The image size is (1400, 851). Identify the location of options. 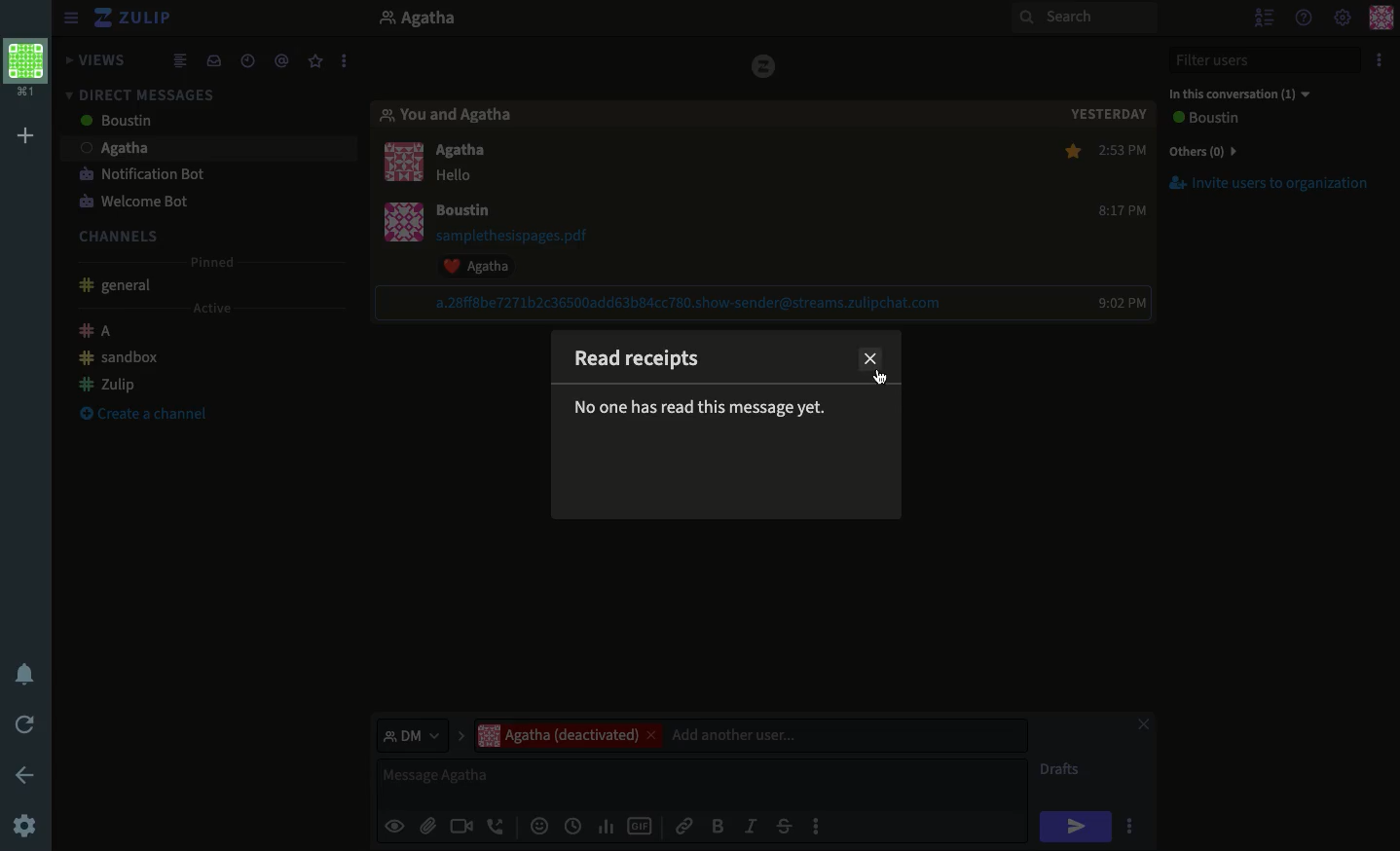
(1132, 829).